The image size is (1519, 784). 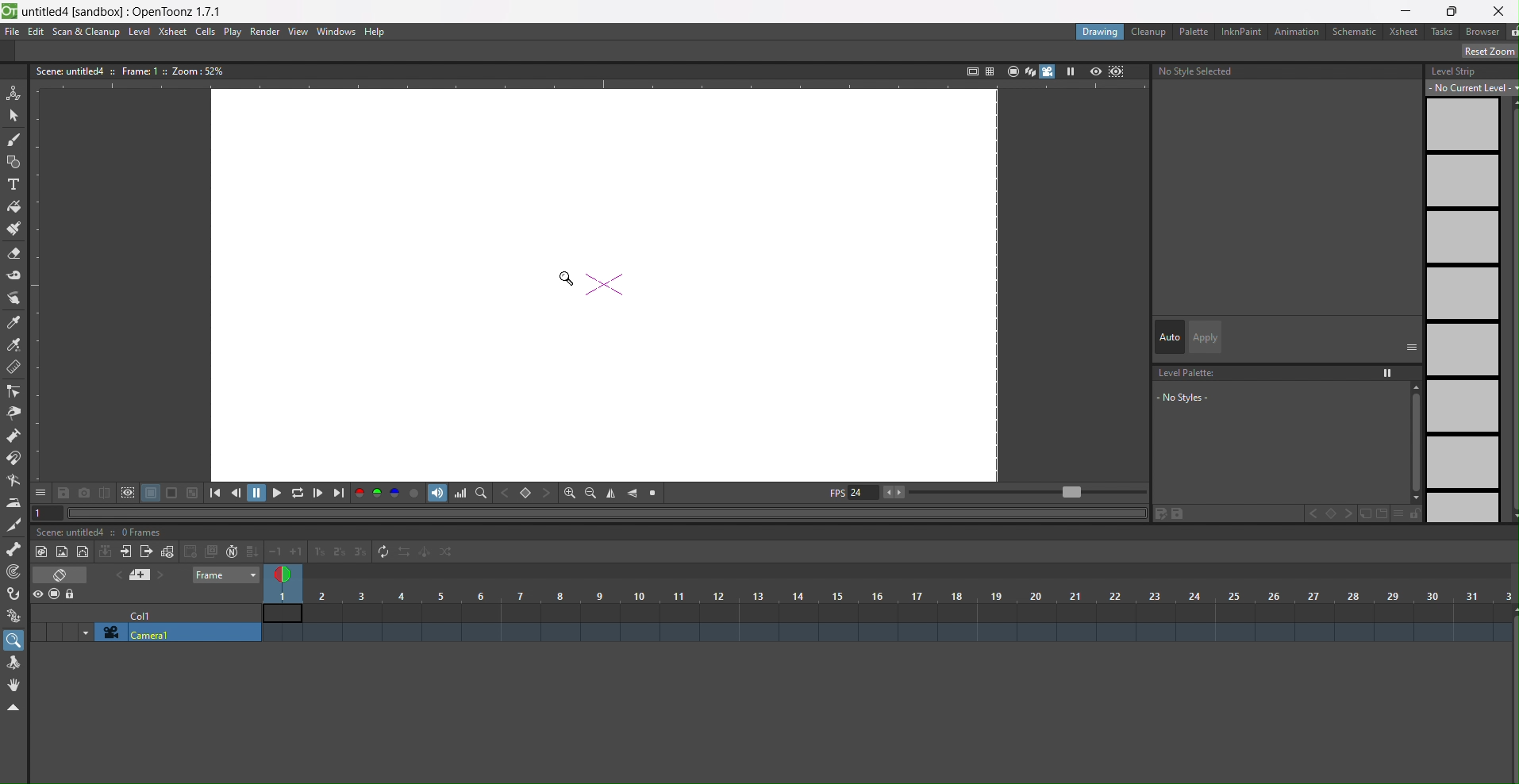 What do you see at coordinates (10, 10) in the screenshot?
I see `logo` at bounding box center [10, 10].